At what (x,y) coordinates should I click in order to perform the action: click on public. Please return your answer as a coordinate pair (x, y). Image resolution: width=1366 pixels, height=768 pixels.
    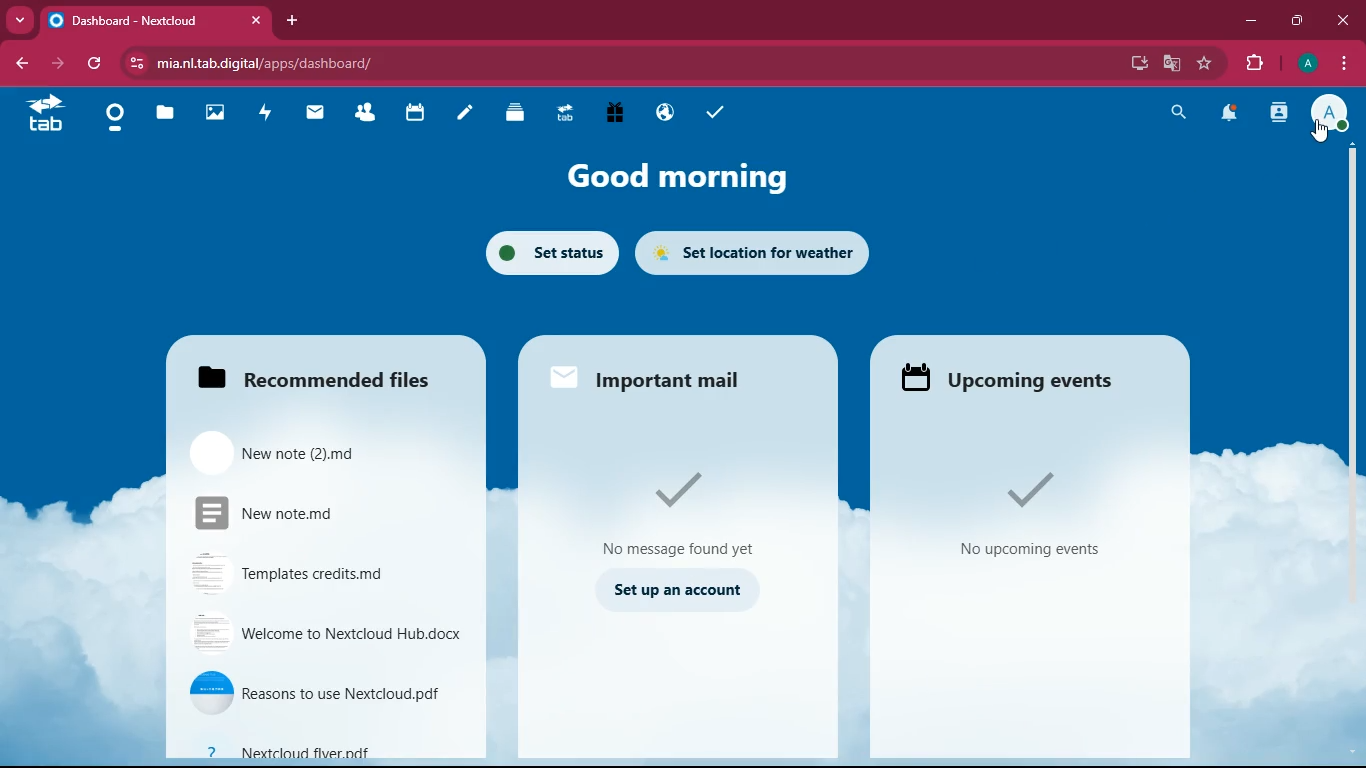
    Looking at the image, I should click on (661, 112).